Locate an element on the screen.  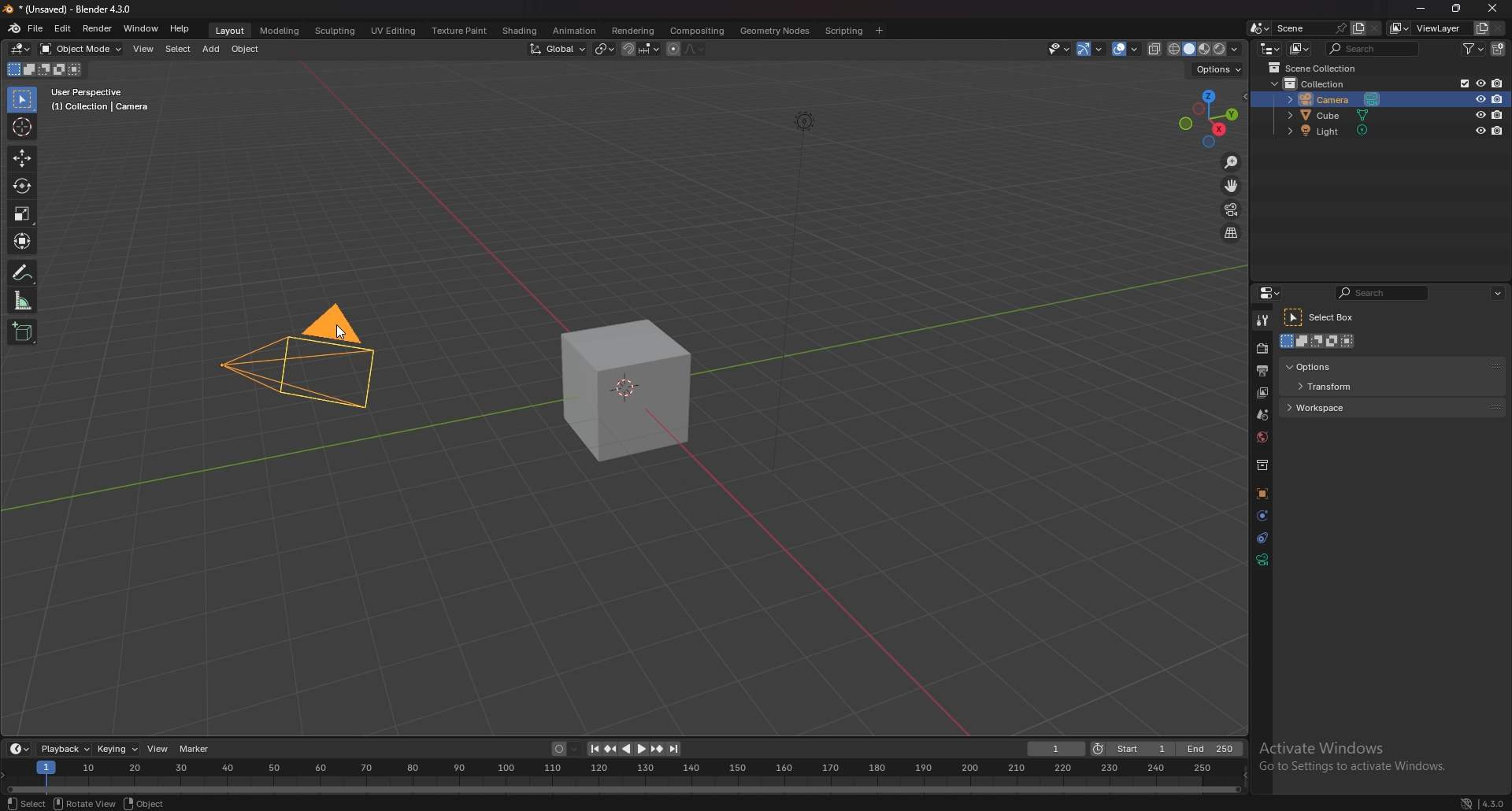
end is located at coordinates (1212, 749).